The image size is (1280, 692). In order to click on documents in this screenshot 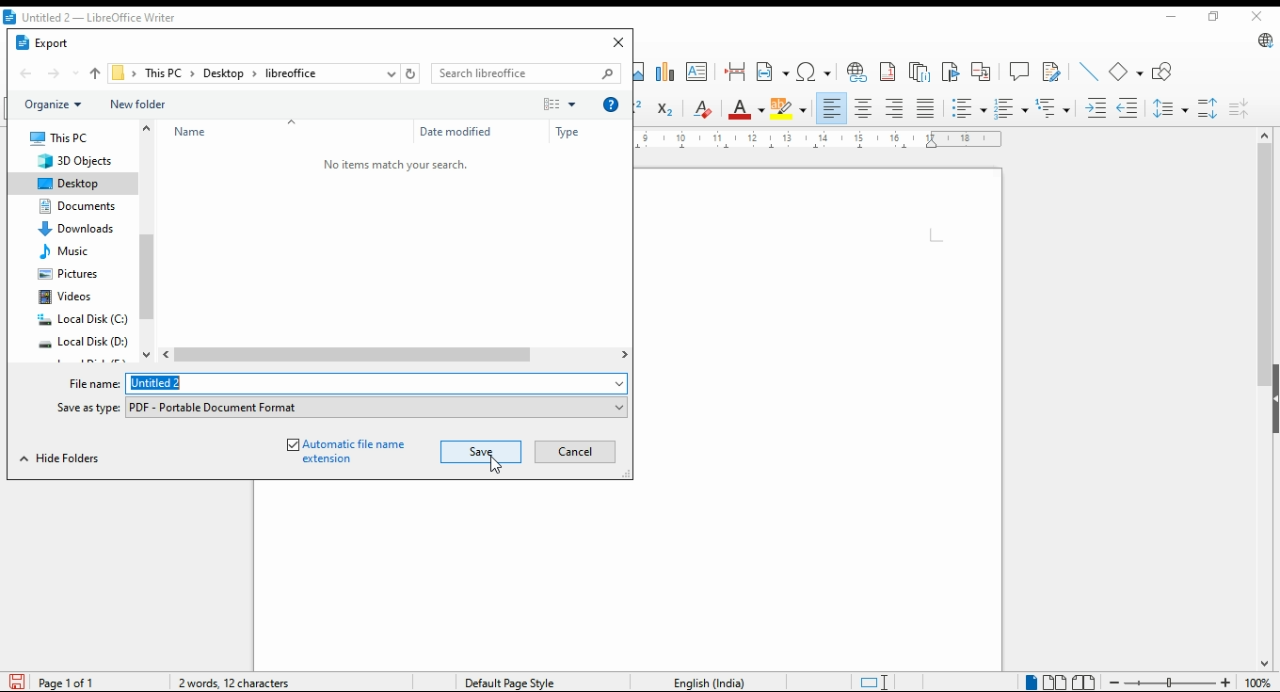, I will do `click(75, 207)`.